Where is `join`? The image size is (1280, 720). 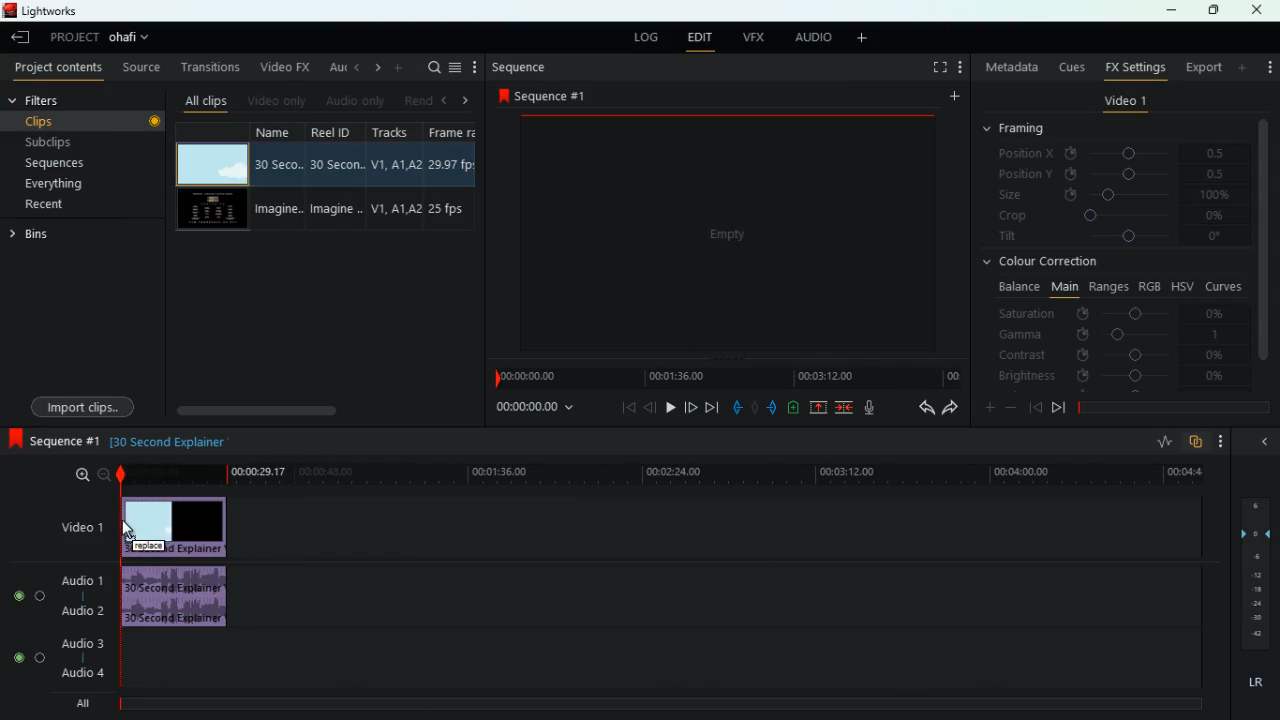
join is located at coordinates (843, 408).